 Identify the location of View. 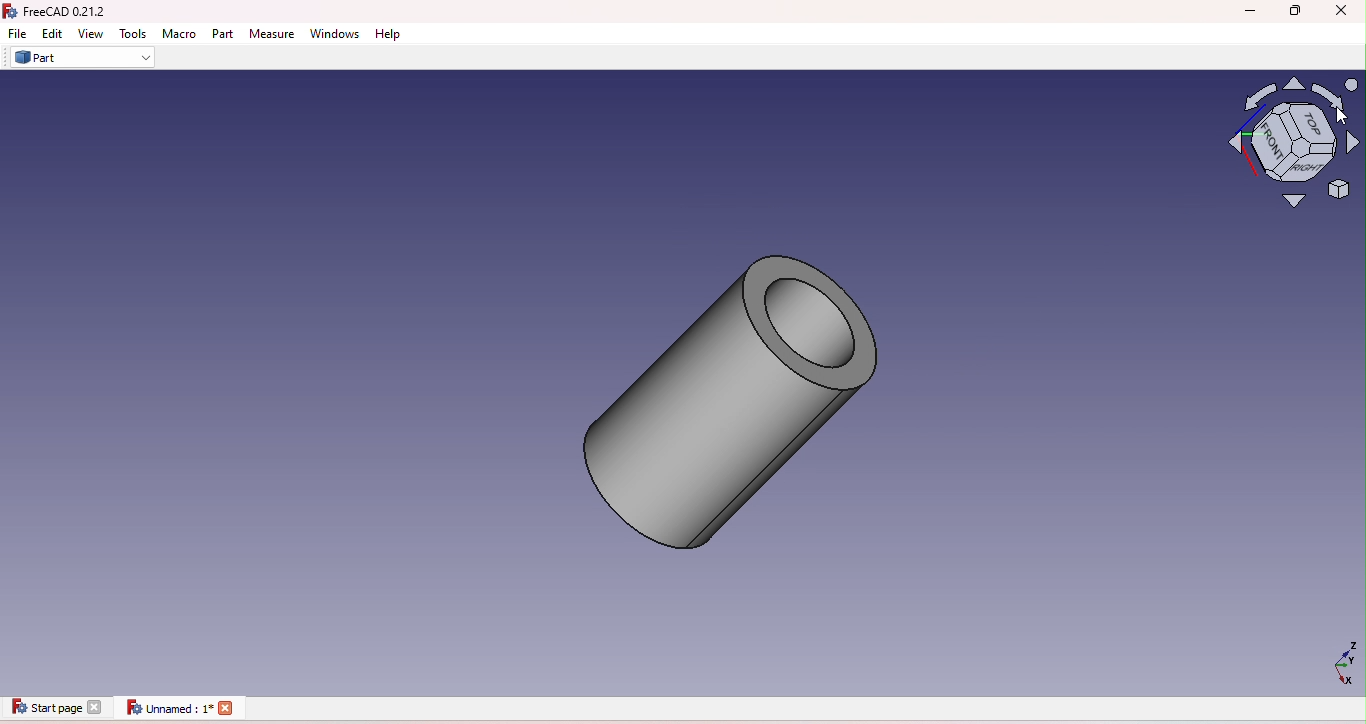
(92, 33).